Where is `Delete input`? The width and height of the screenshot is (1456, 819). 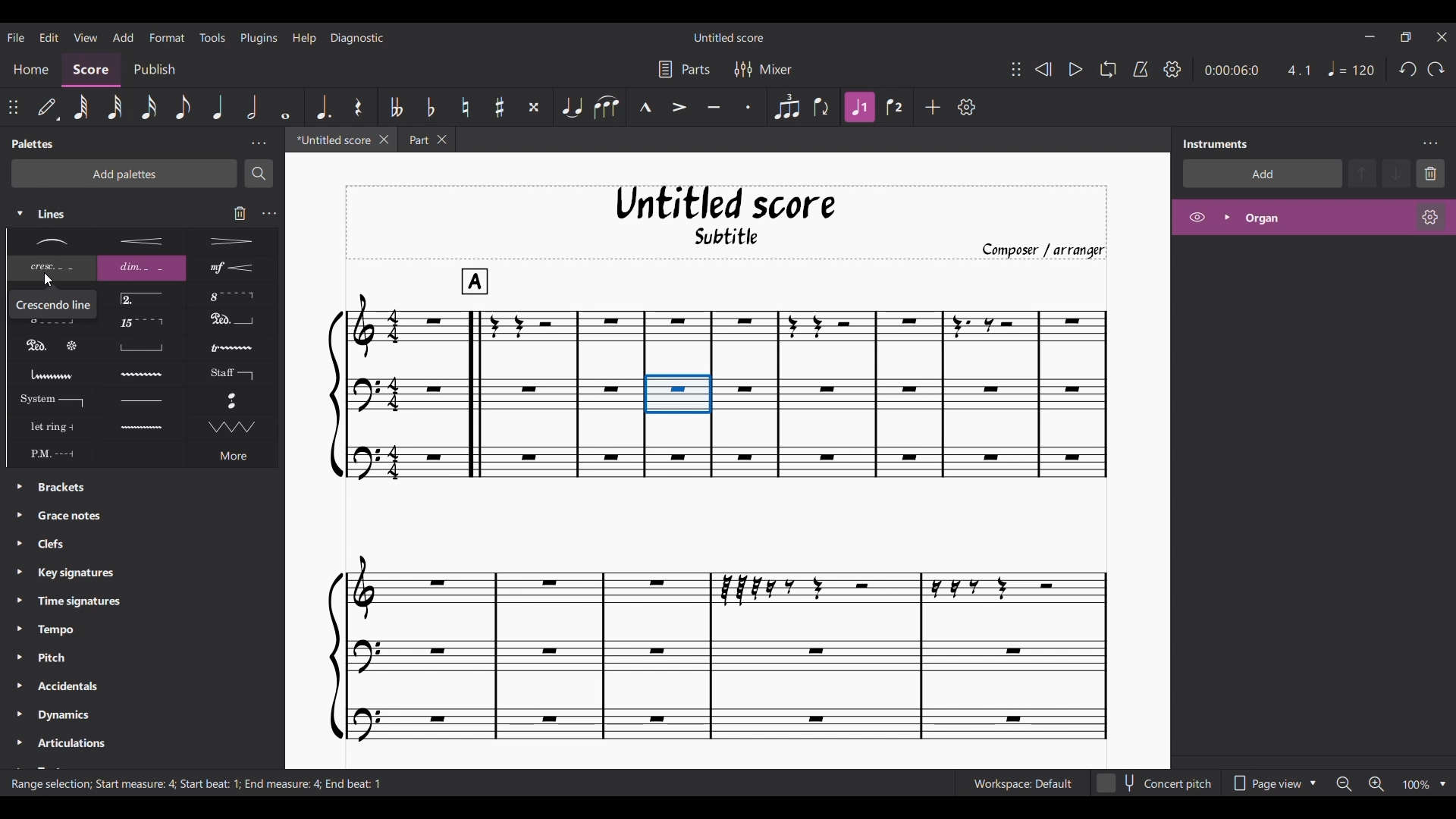 Delete input is located at coordinates (240, 213).